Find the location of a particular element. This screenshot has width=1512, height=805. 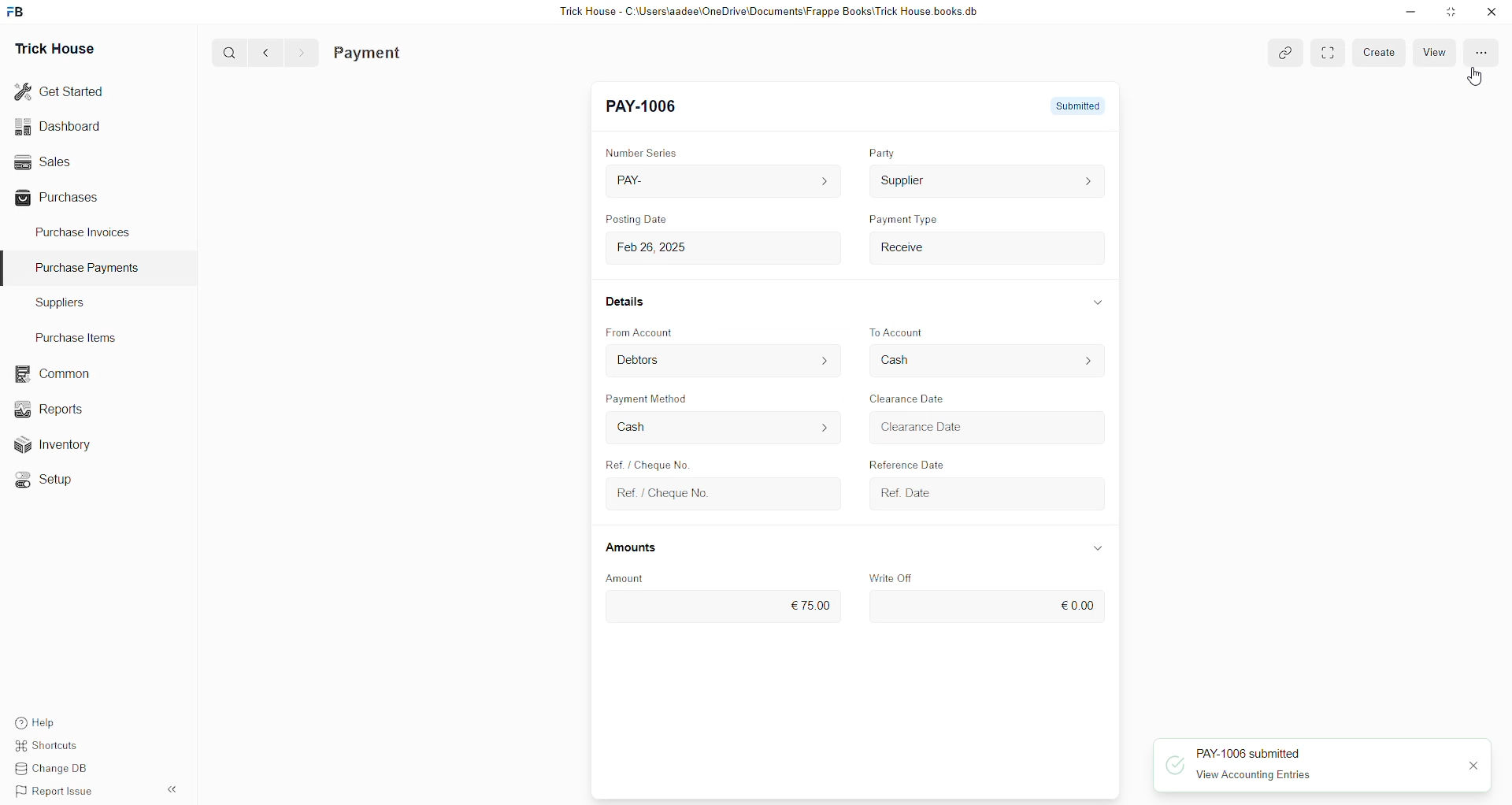

Purchase Items. is located at coordinates (73, 336).